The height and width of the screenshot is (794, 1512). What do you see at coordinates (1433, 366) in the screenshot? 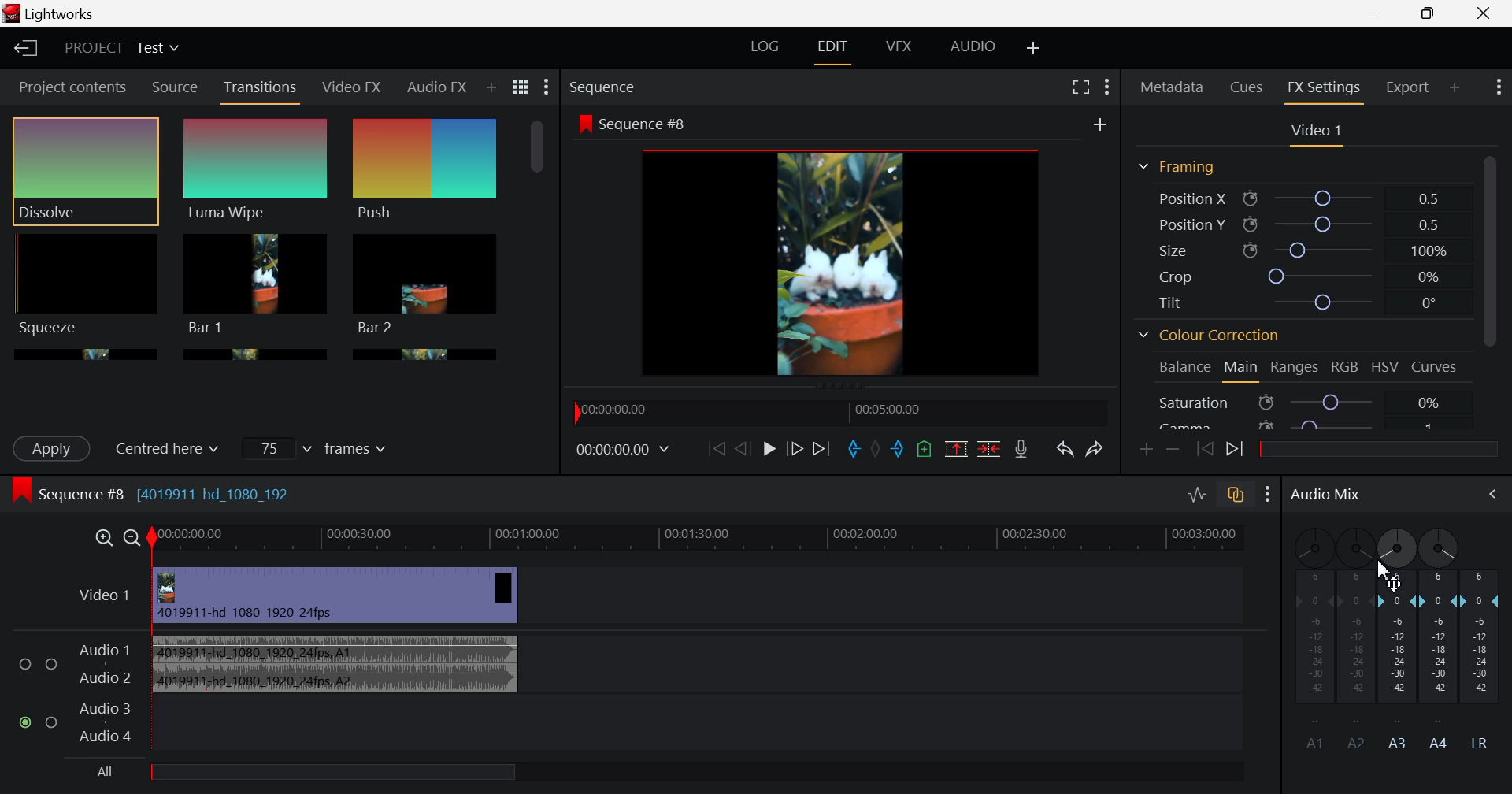
I see `Curves` at bounding box center [1433, 366].